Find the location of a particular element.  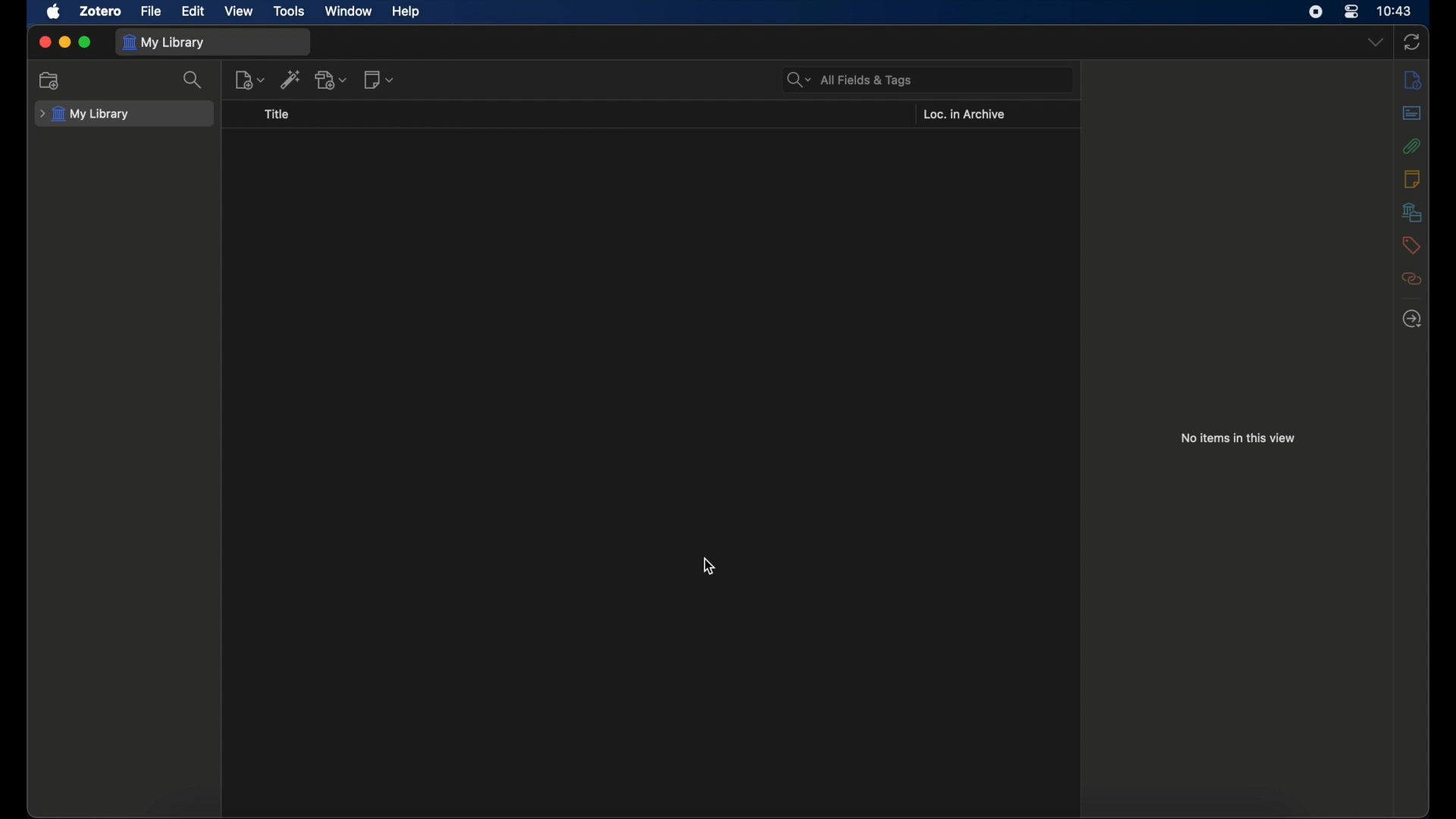

view is located at coordinates (238, 11).